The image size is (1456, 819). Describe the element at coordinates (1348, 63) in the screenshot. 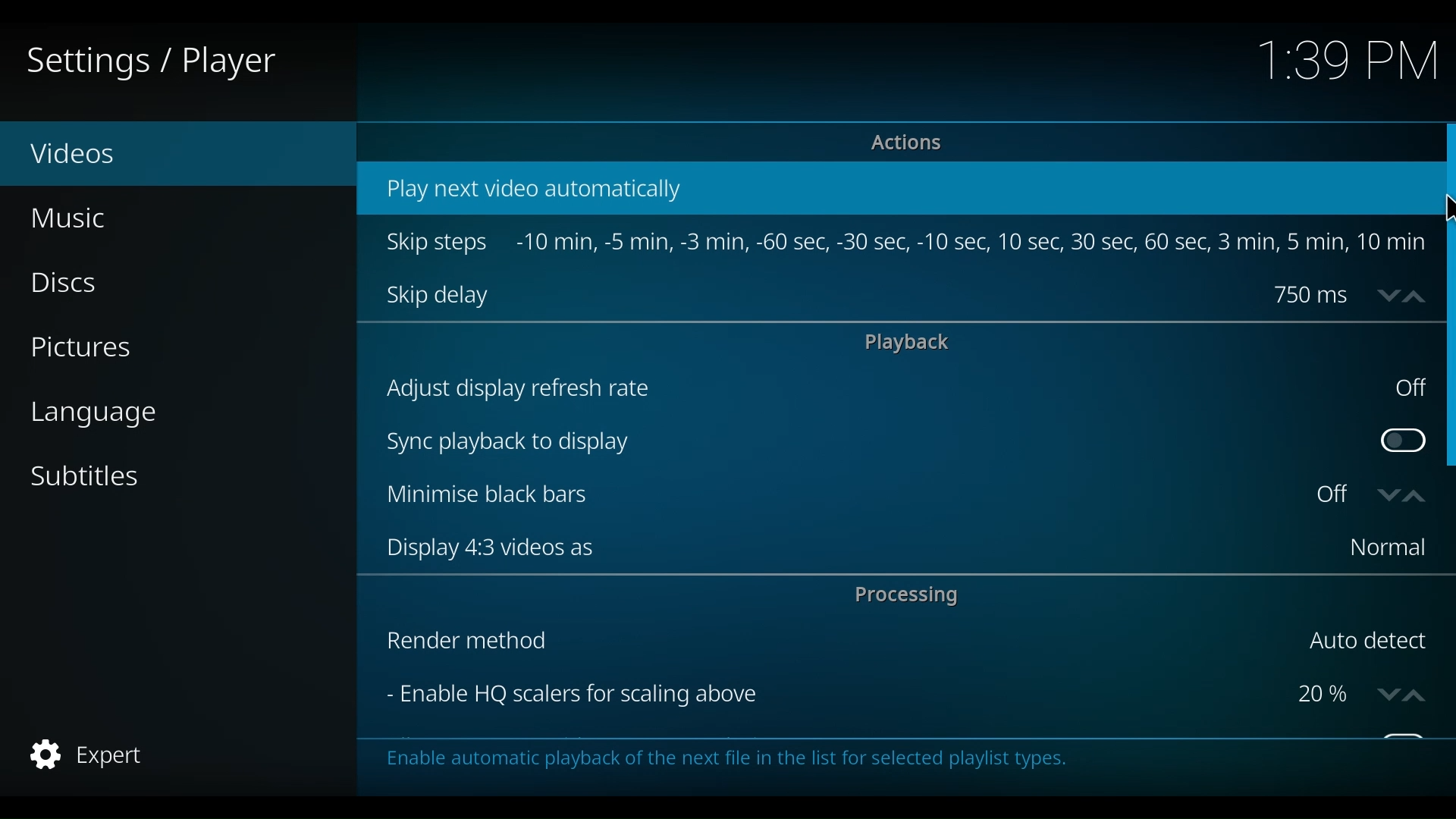

I see `Time` at that location.